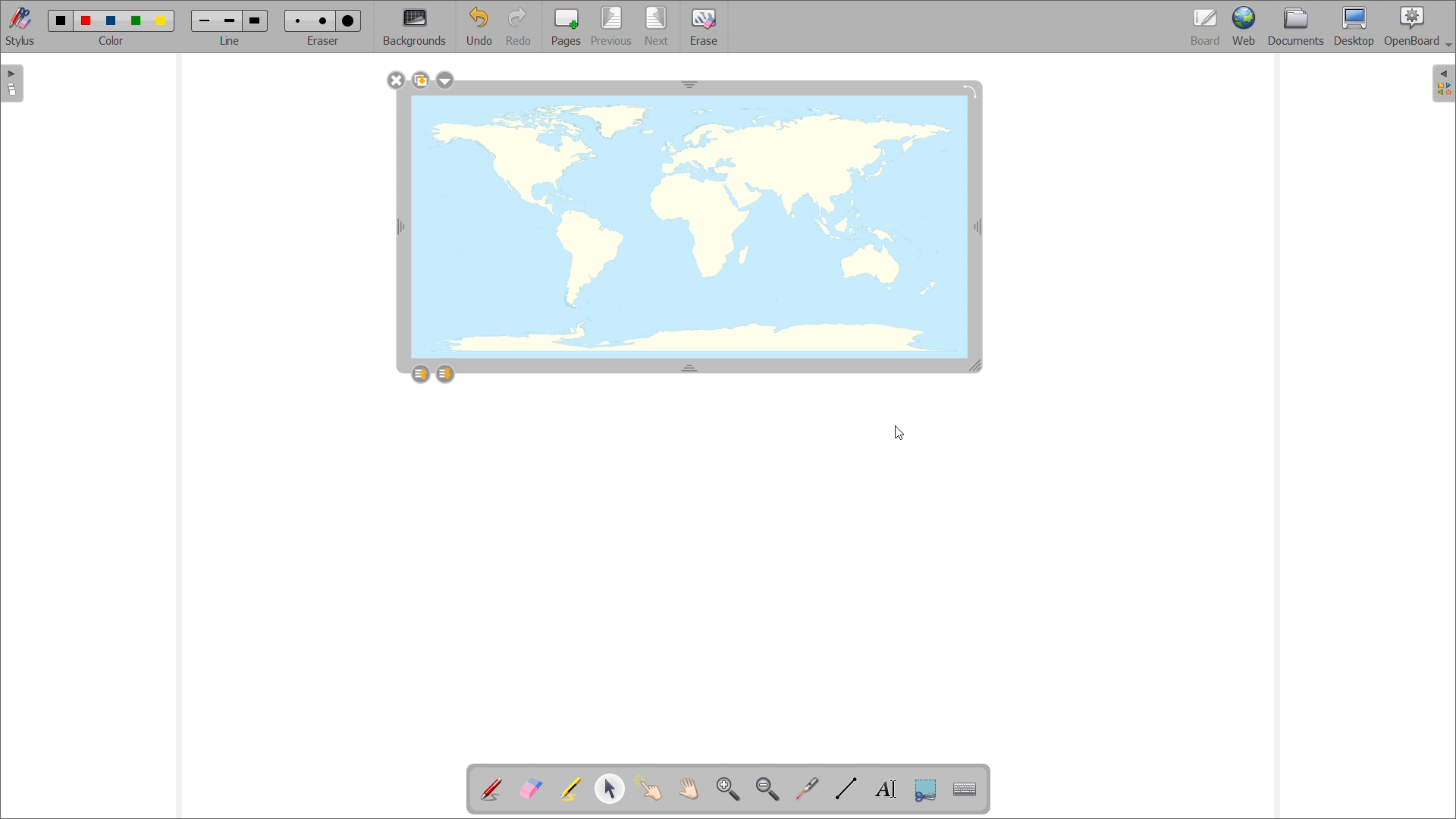 The height and width of the screenshot is (819, 1456). What do you see at coordinates (396, 80) in the screenshot?
I see `delete` at bounding box center [396, 80].